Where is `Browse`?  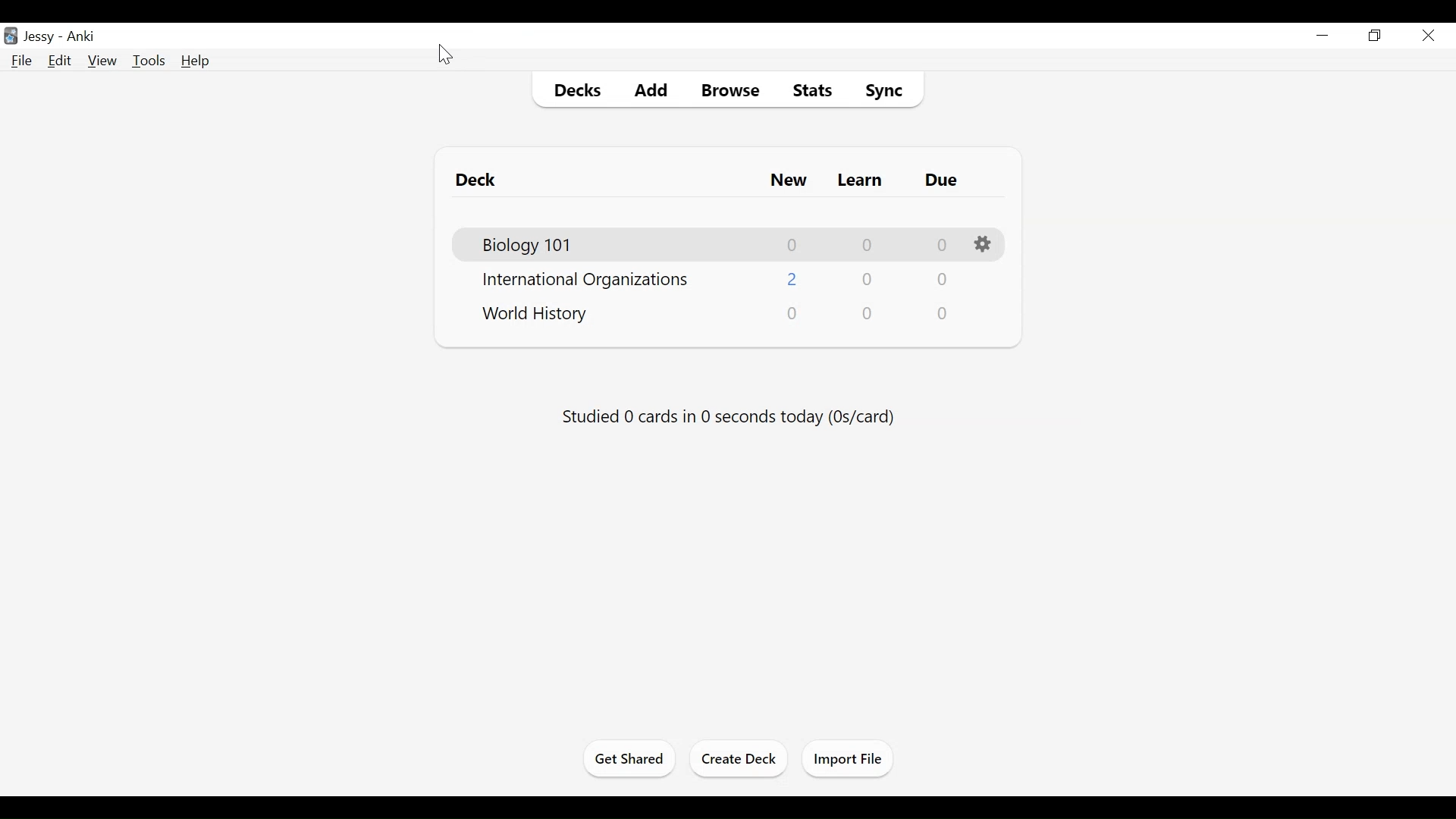 Browse is located at coordinates (732, 89).